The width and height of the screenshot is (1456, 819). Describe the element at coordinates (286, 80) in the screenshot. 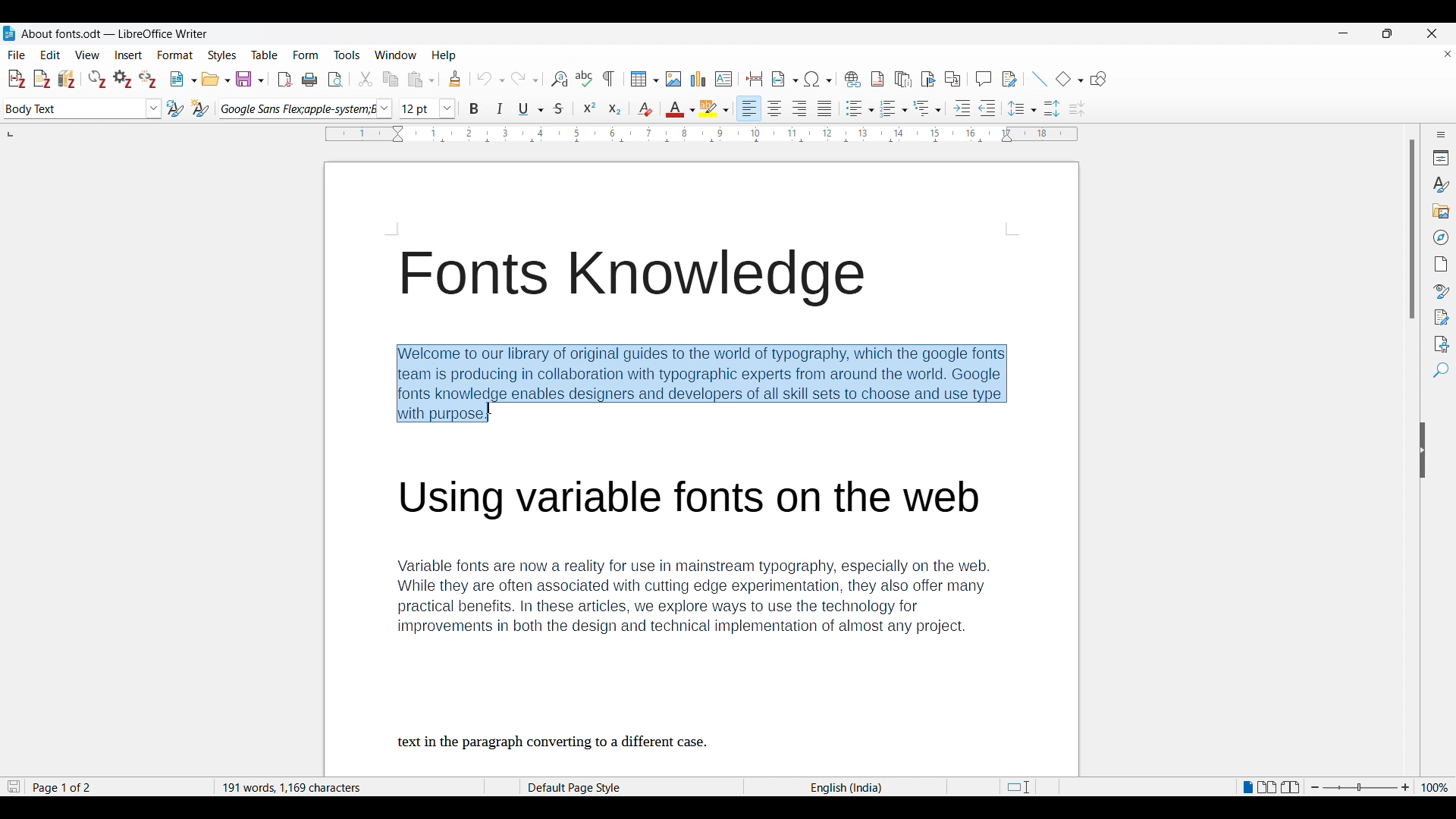

I see `Export directly as PDF` at that location.